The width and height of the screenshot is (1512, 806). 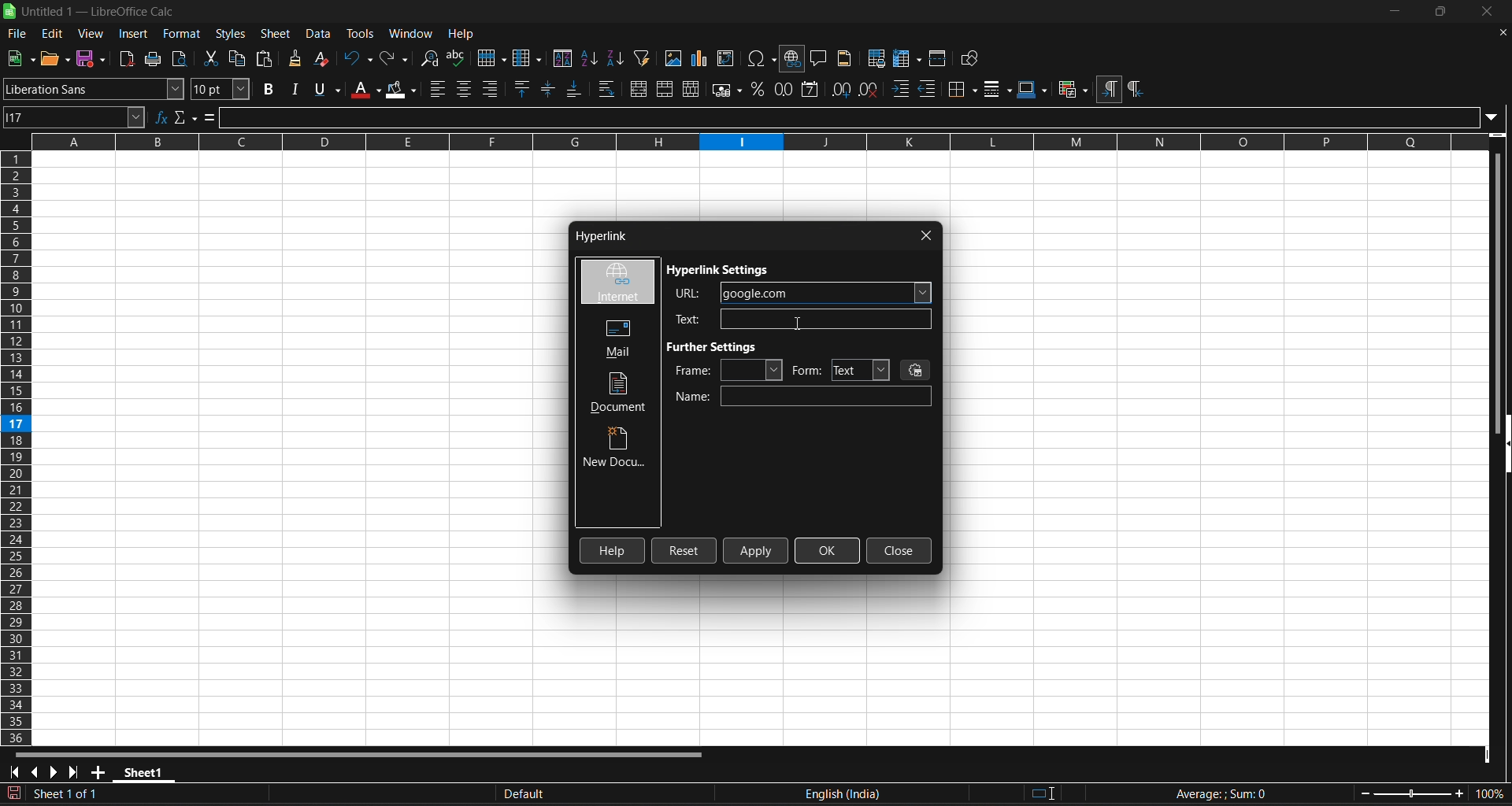 What do you see at coordinates (222, 89) in the screenshot?
I see `font size` at bounding box center [222, 89].